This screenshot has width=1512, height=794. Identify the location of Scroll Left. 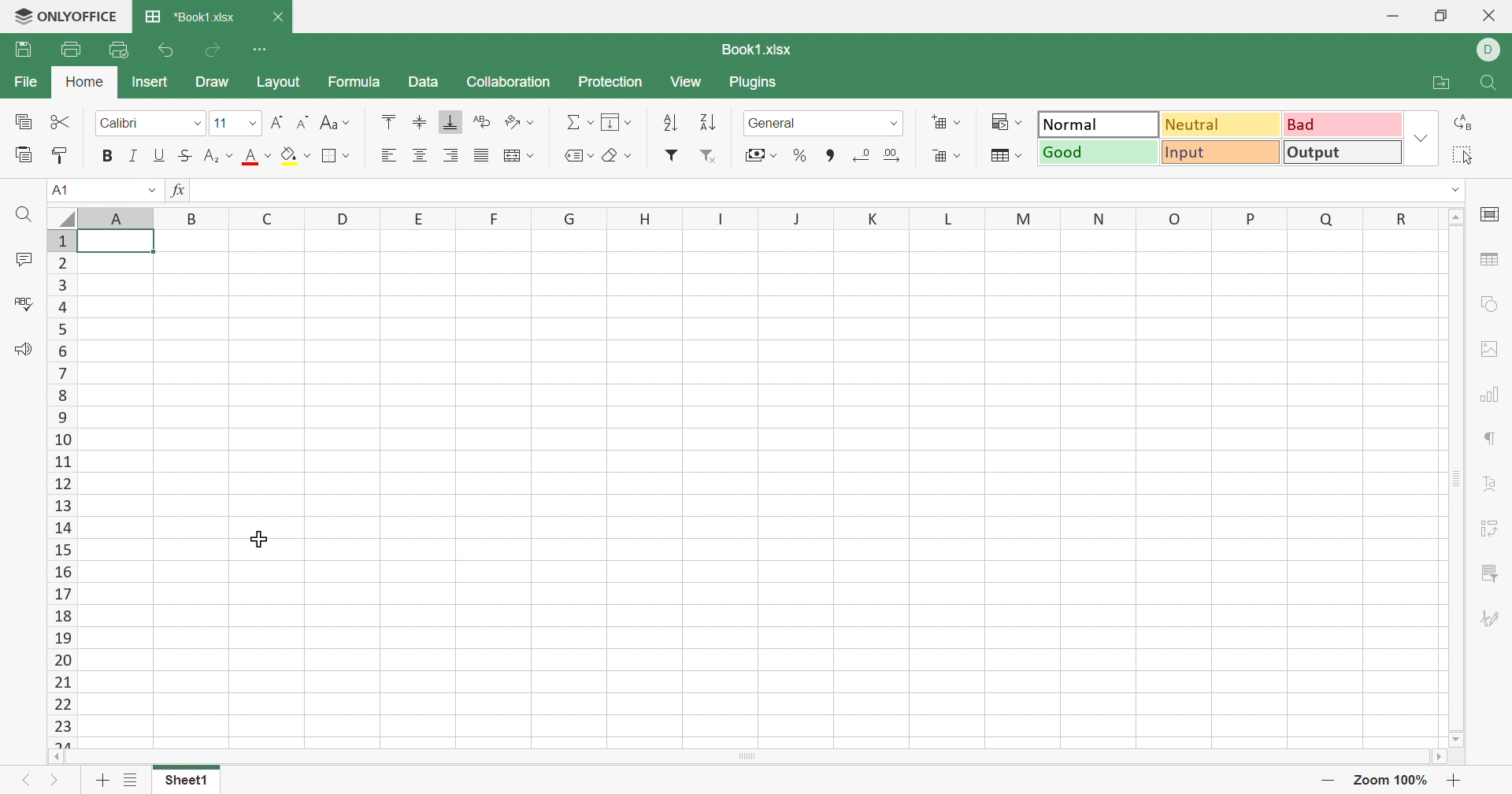
(57, 757).